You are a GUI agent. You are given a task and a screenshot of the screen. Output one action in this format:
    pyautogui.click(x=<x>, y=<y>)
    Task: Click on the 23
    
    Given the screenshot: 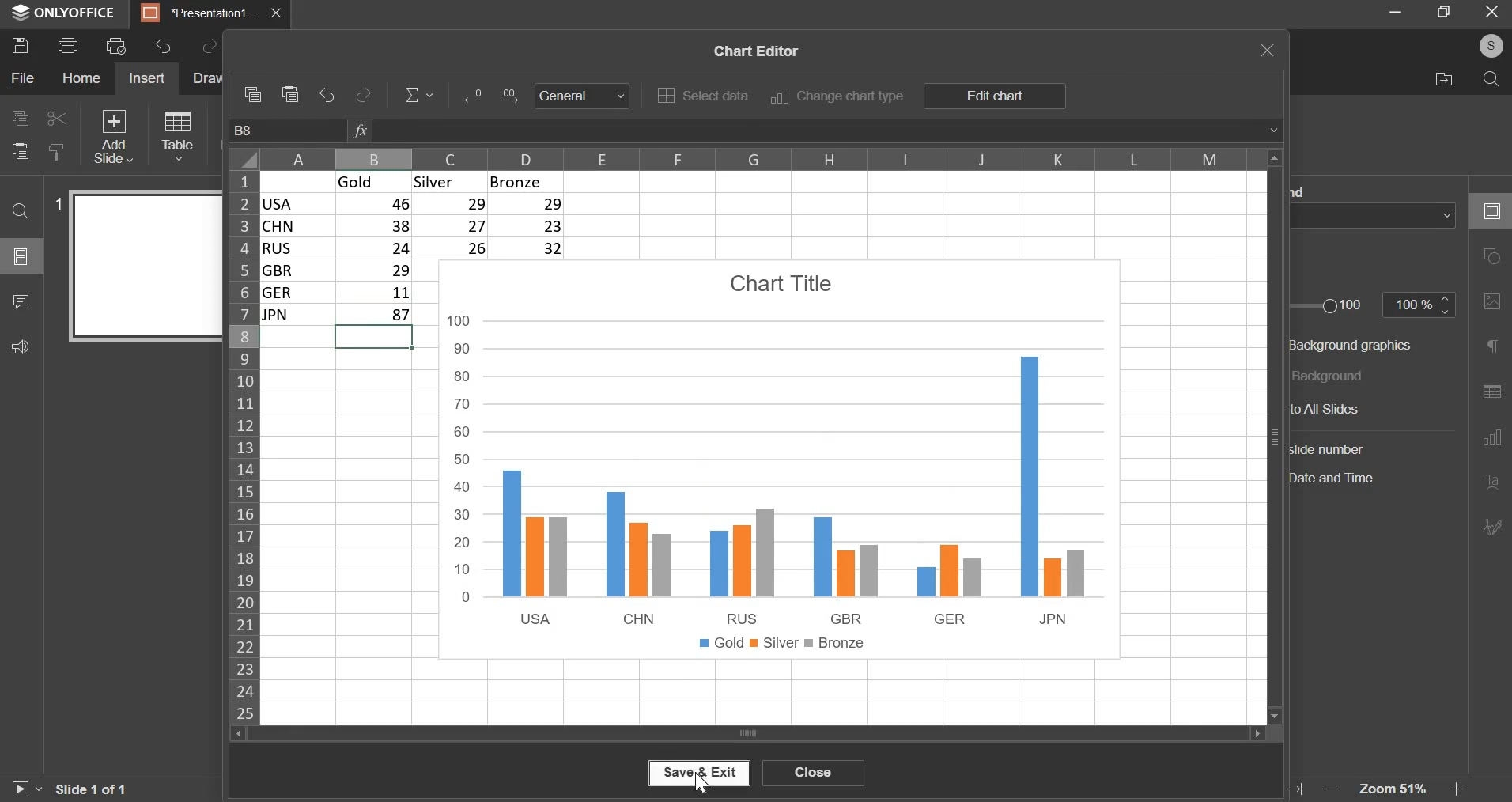 What is the action you would take?
    pyautogui.click(x=531, y=225)
    